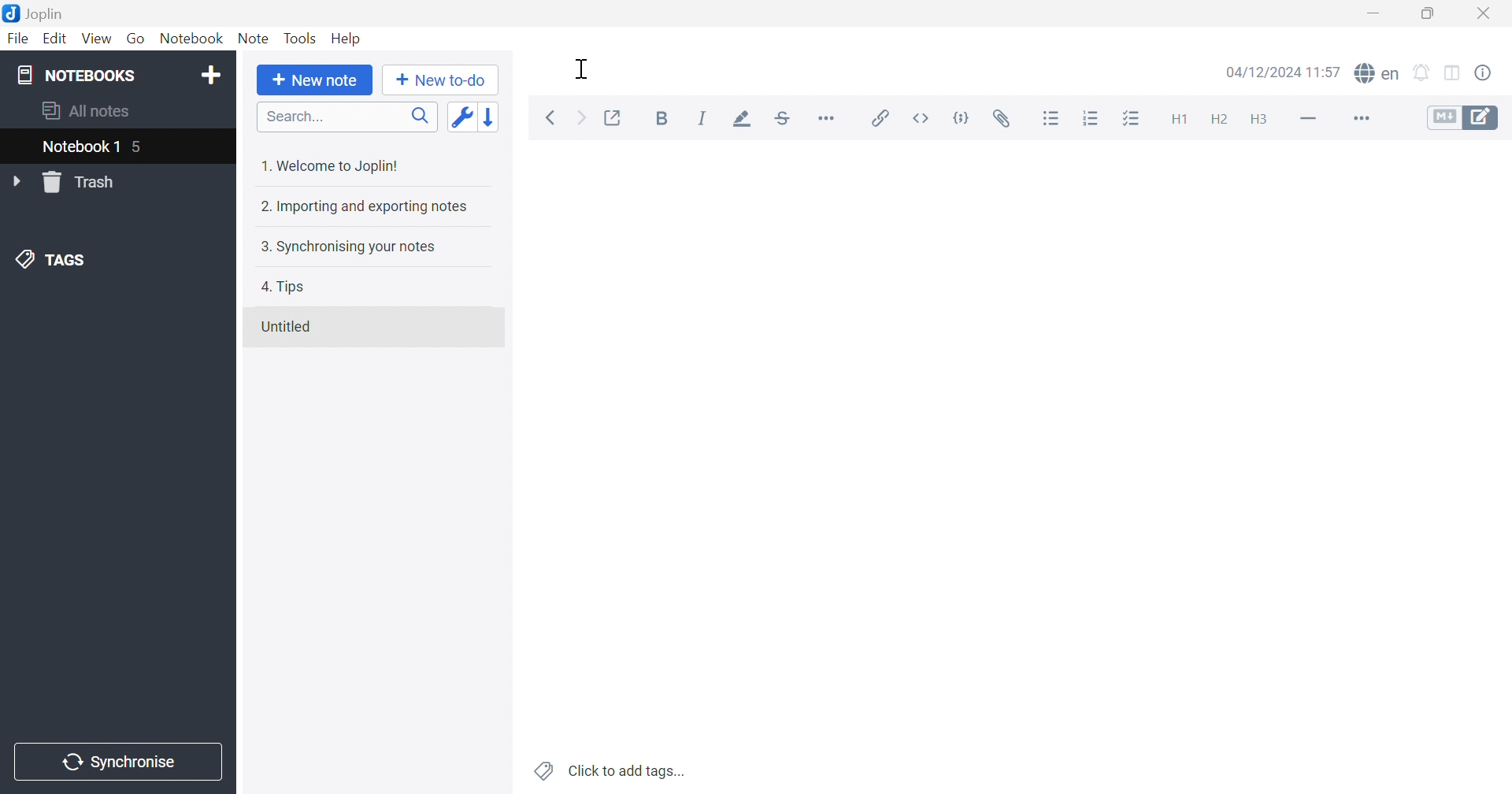  Describe the element at coordinates (347, 247) in the screenshot. I see `3. Synchronising your notes` at that location.